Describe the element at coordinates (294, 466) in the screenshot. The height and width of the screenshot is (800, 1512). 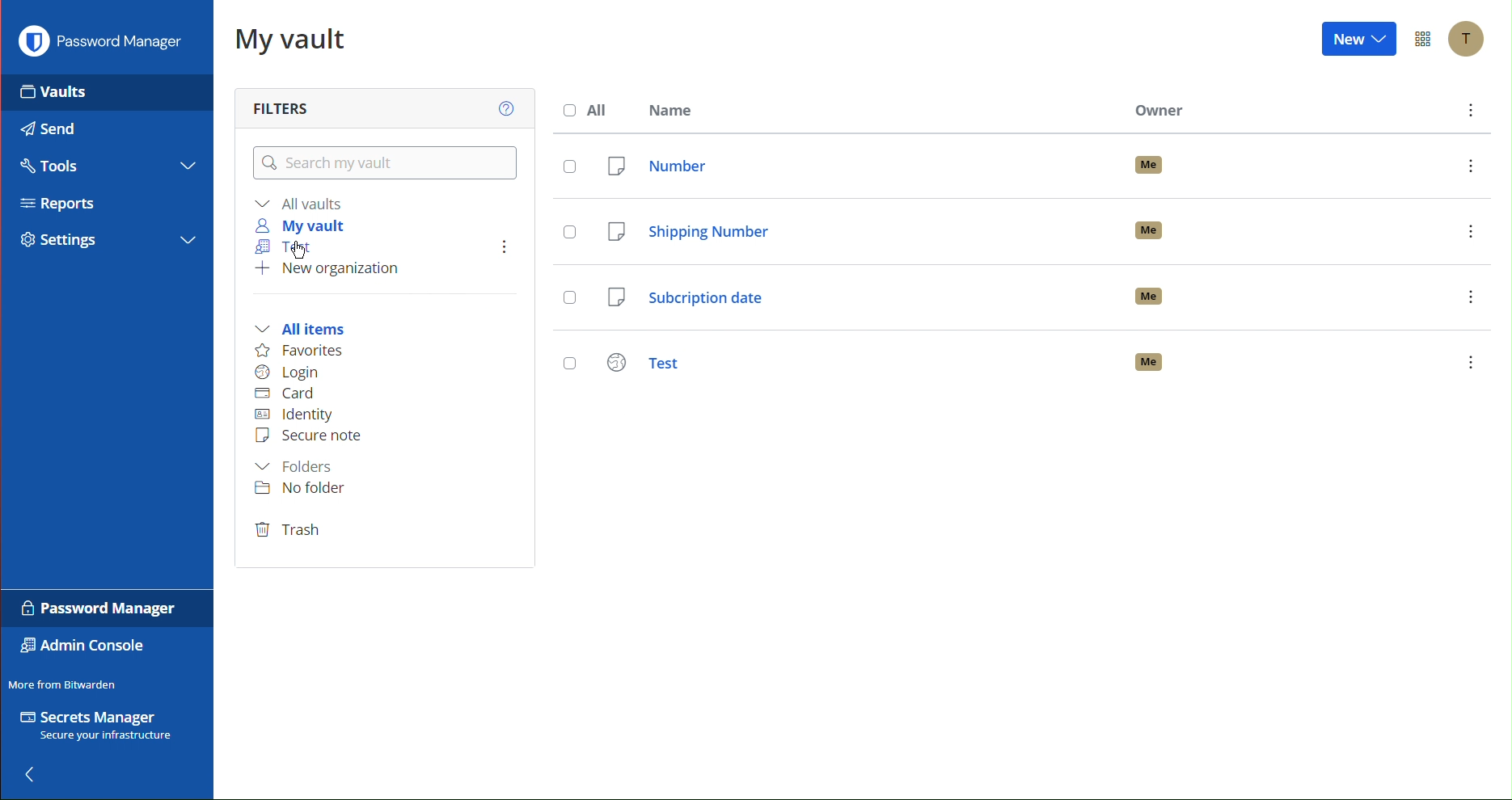
I see `Folders` at that location.